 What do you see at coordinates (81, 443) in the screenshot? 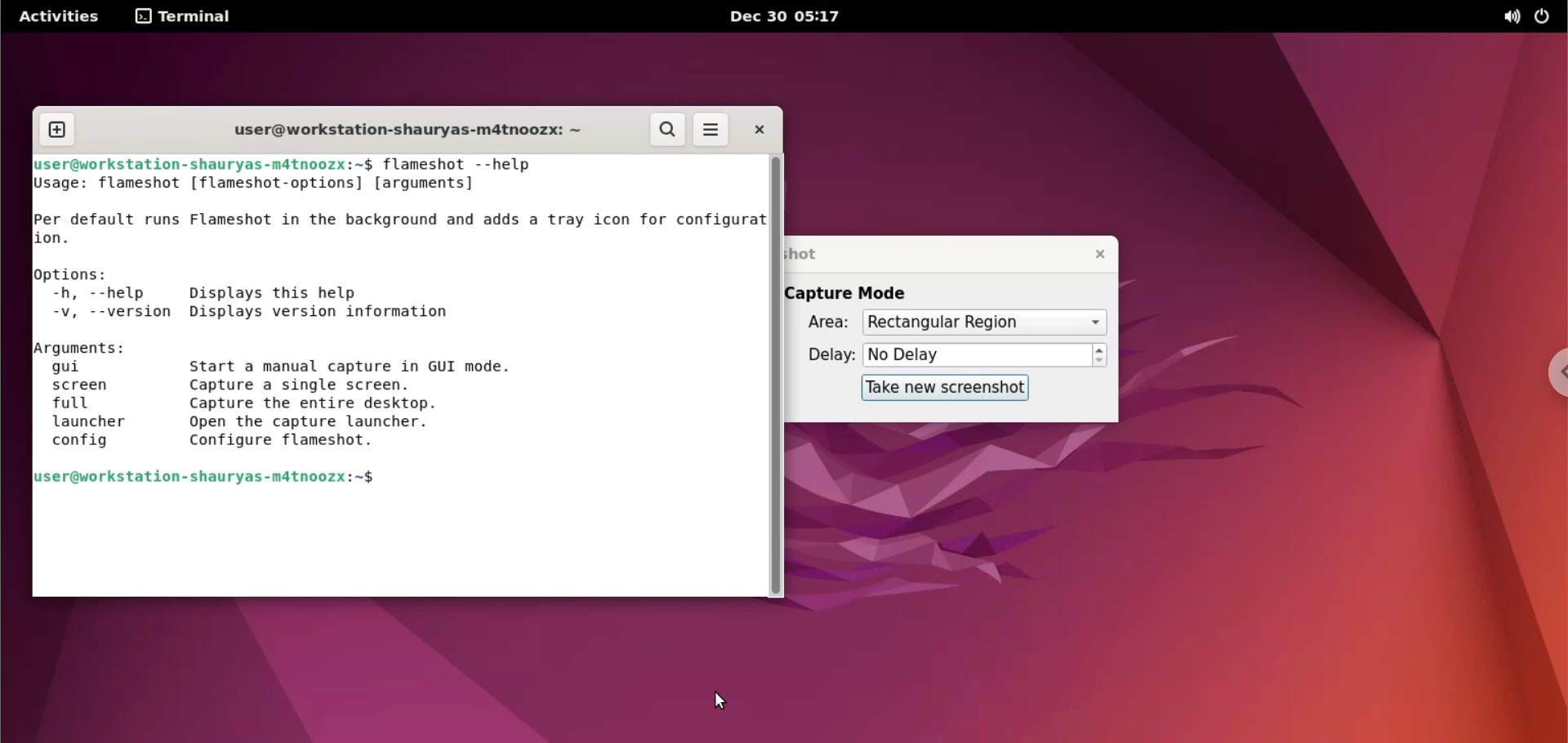
I see `config` at bounding box center [81, 443].